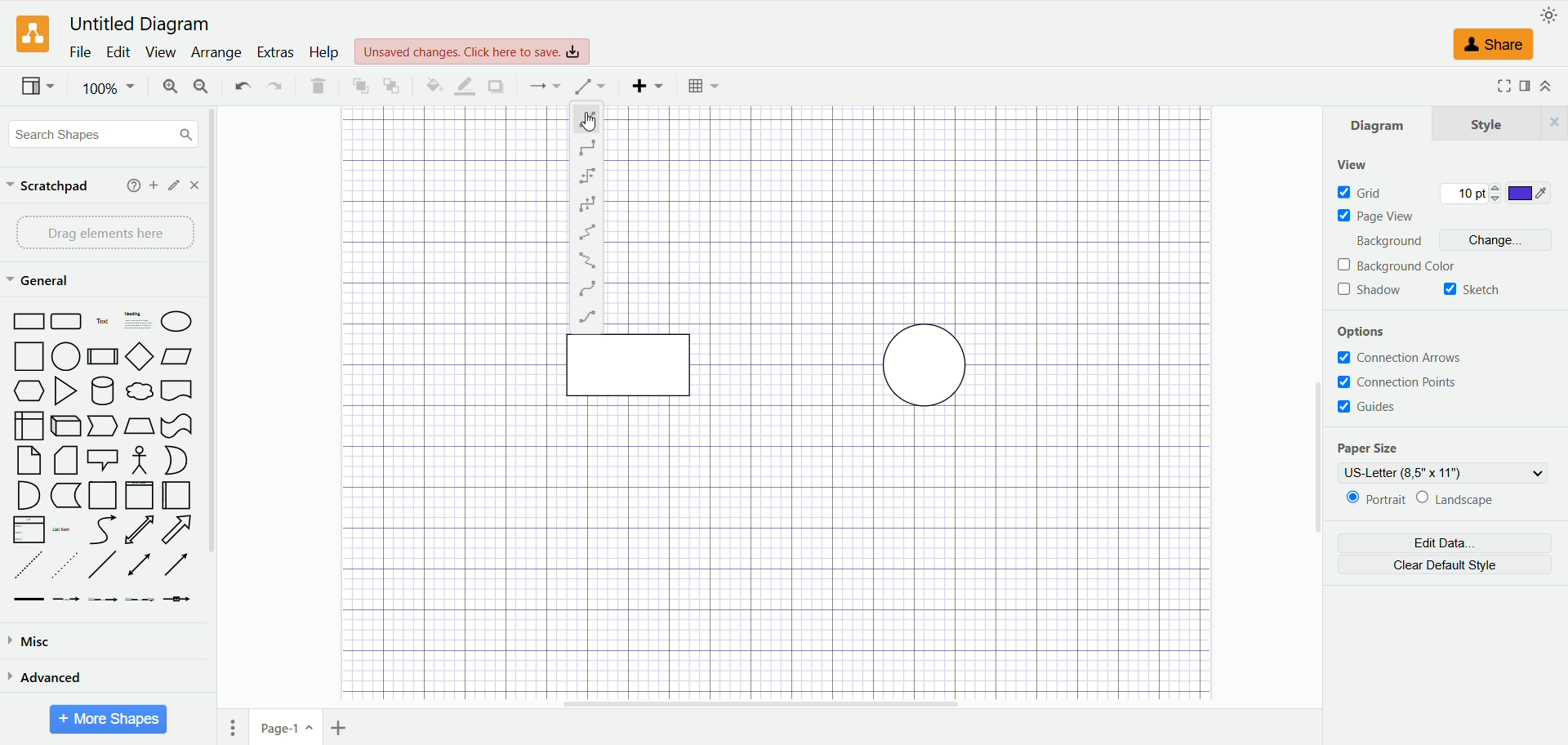  What do you see at coordinates (46, 185) in the screenshot?
I see `scratchpad` at bounding box center [46, 185].